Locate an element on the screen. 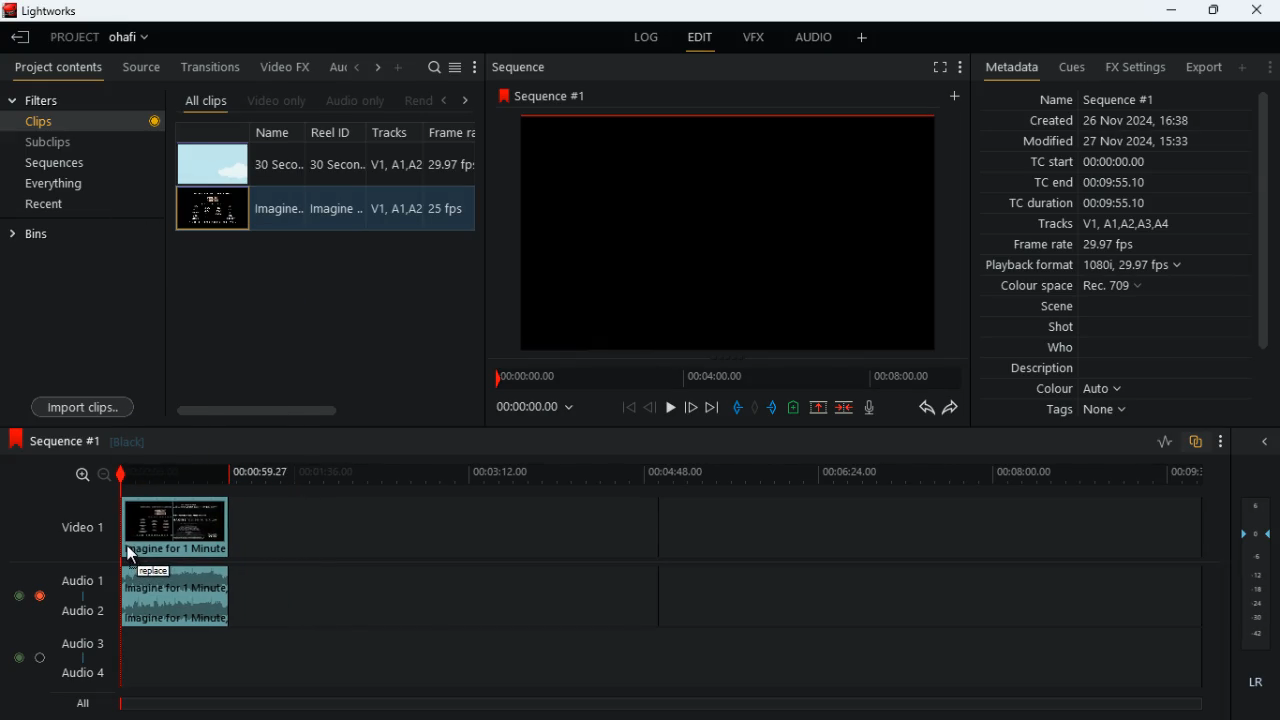 This screenshot has width=1280, height=720. name is located at coordinates (278, 134).